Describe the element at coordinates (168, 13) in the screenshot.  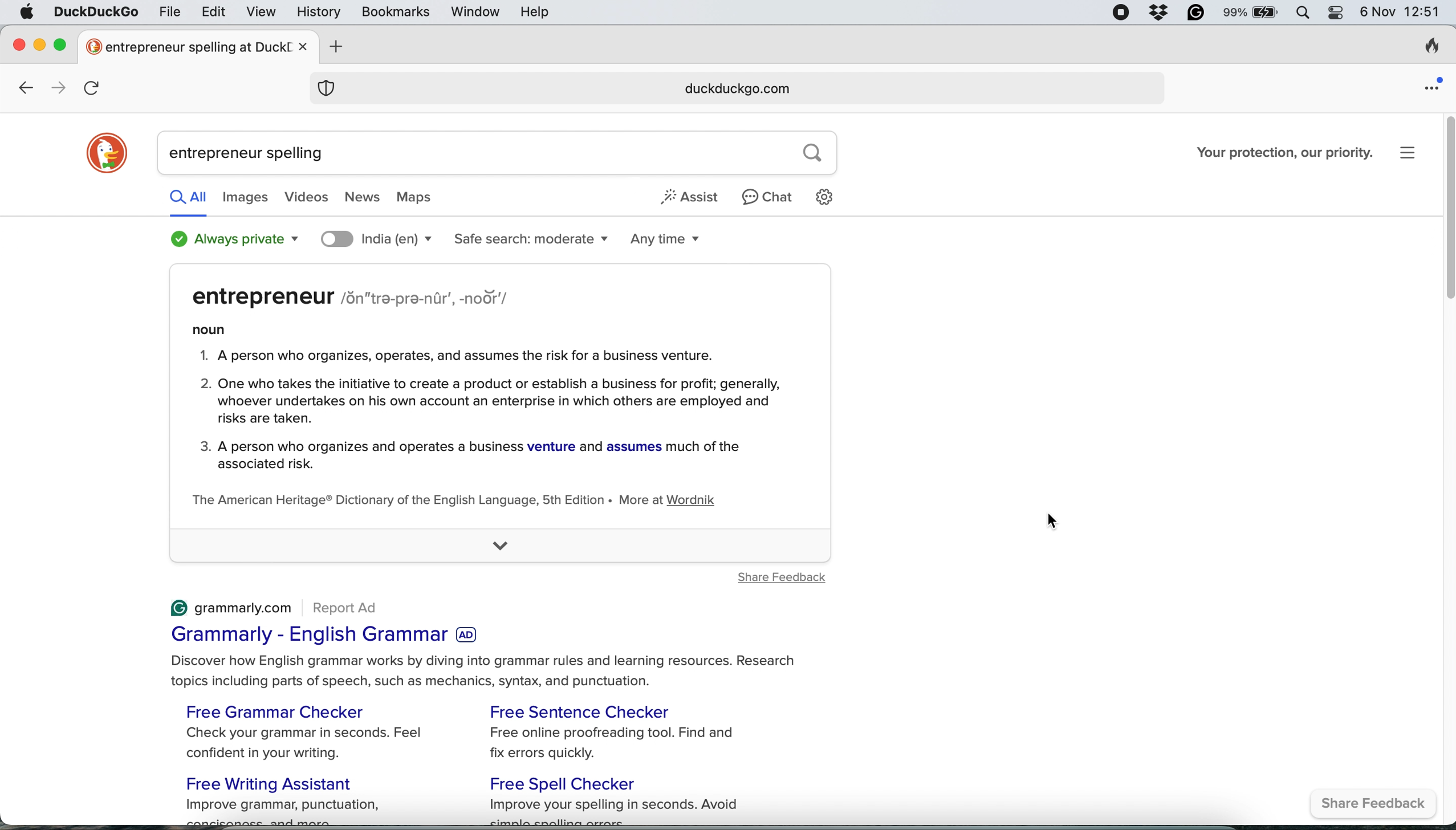
I see `file` at that location.